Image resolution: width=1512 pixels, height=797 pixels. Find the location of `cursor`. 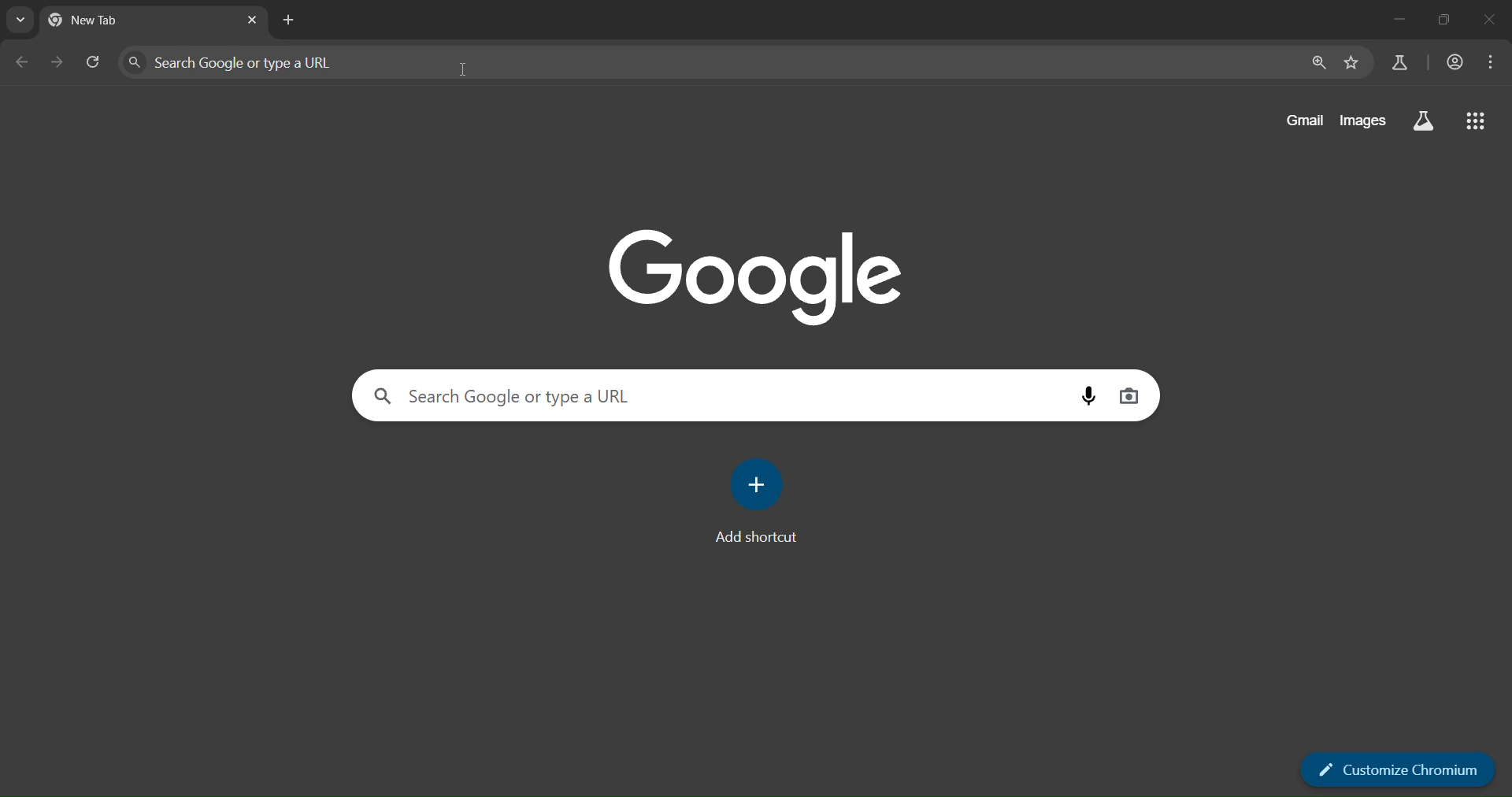

cursor is located at coordinates (461, 78).